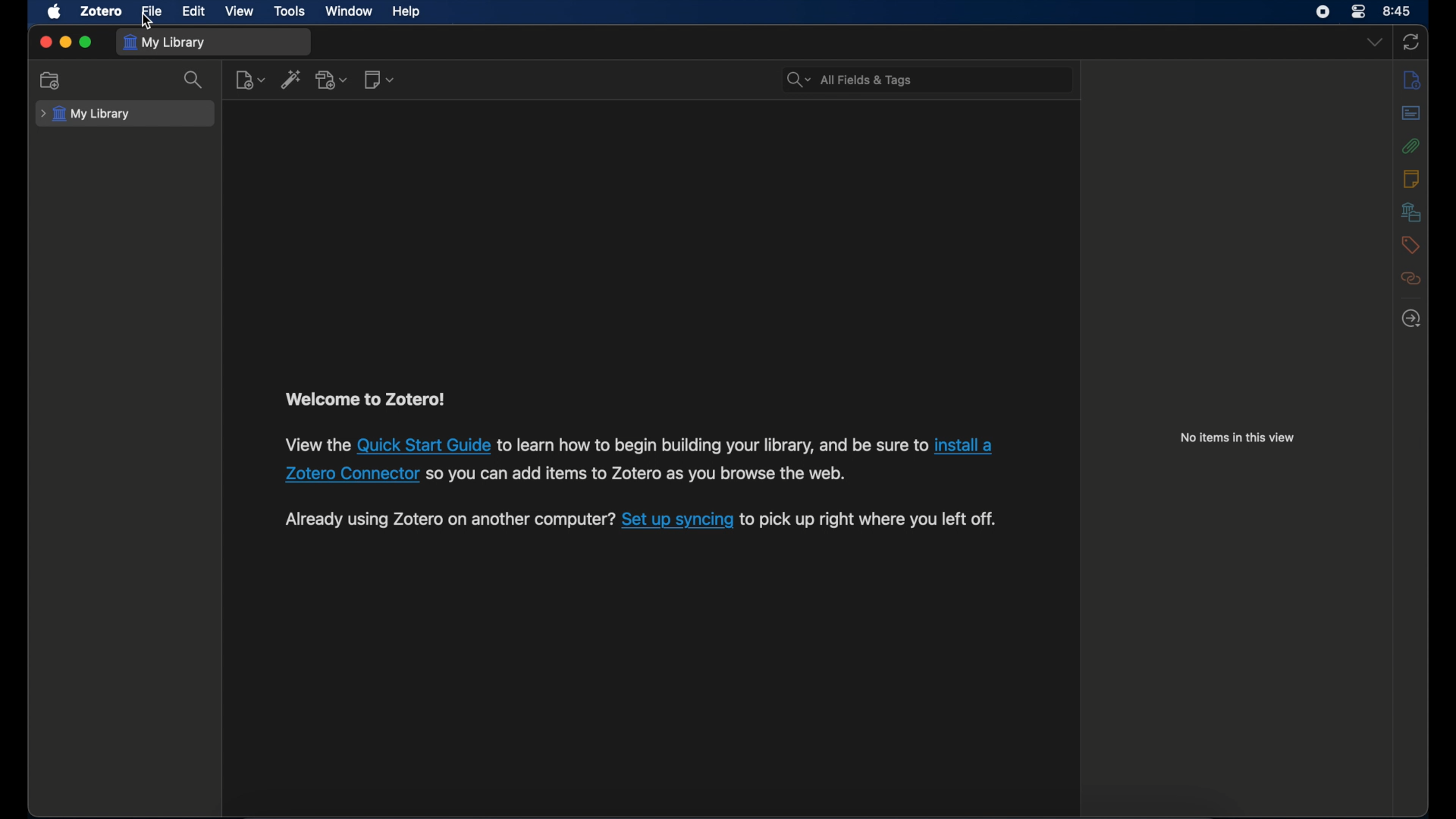  Describe the element at coordinates (1238, 437) in the screenshot. I see `no items in this view` at that location.